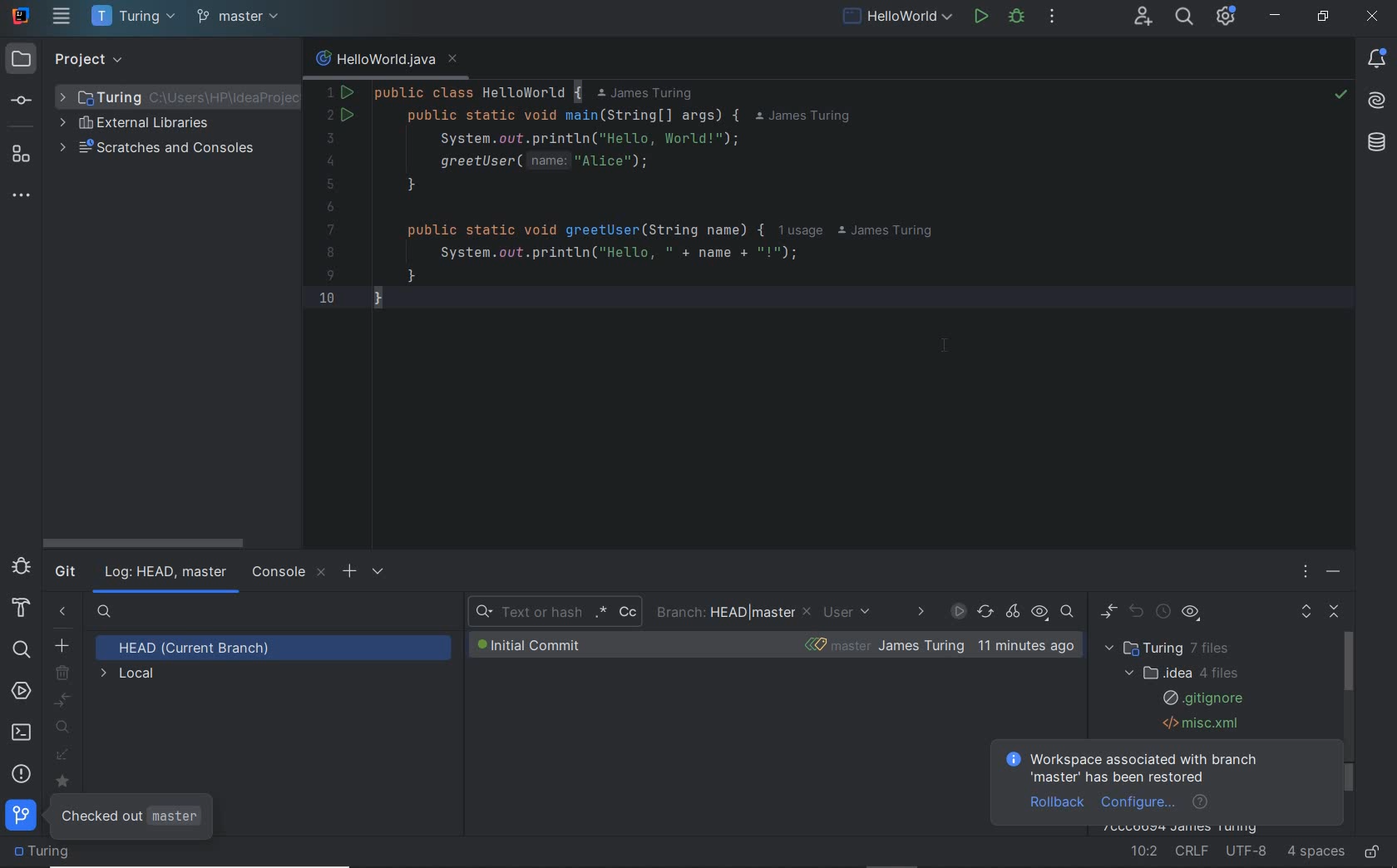 Image resolution: width=1397 pixels, height=868 pixels. I want to click on commit, so click(24, 101).